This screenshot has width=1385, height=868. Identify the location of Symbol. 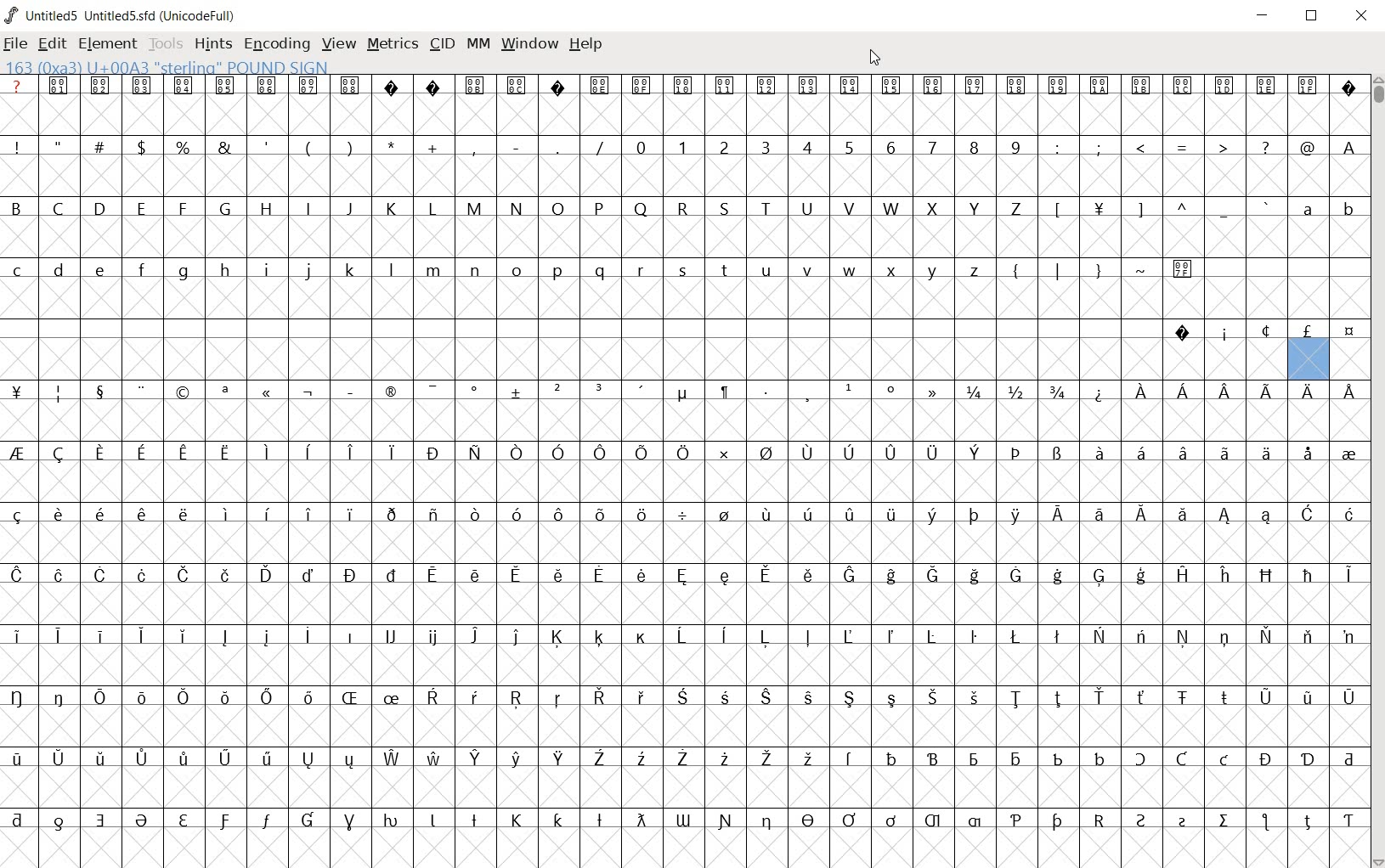
(432, 638).